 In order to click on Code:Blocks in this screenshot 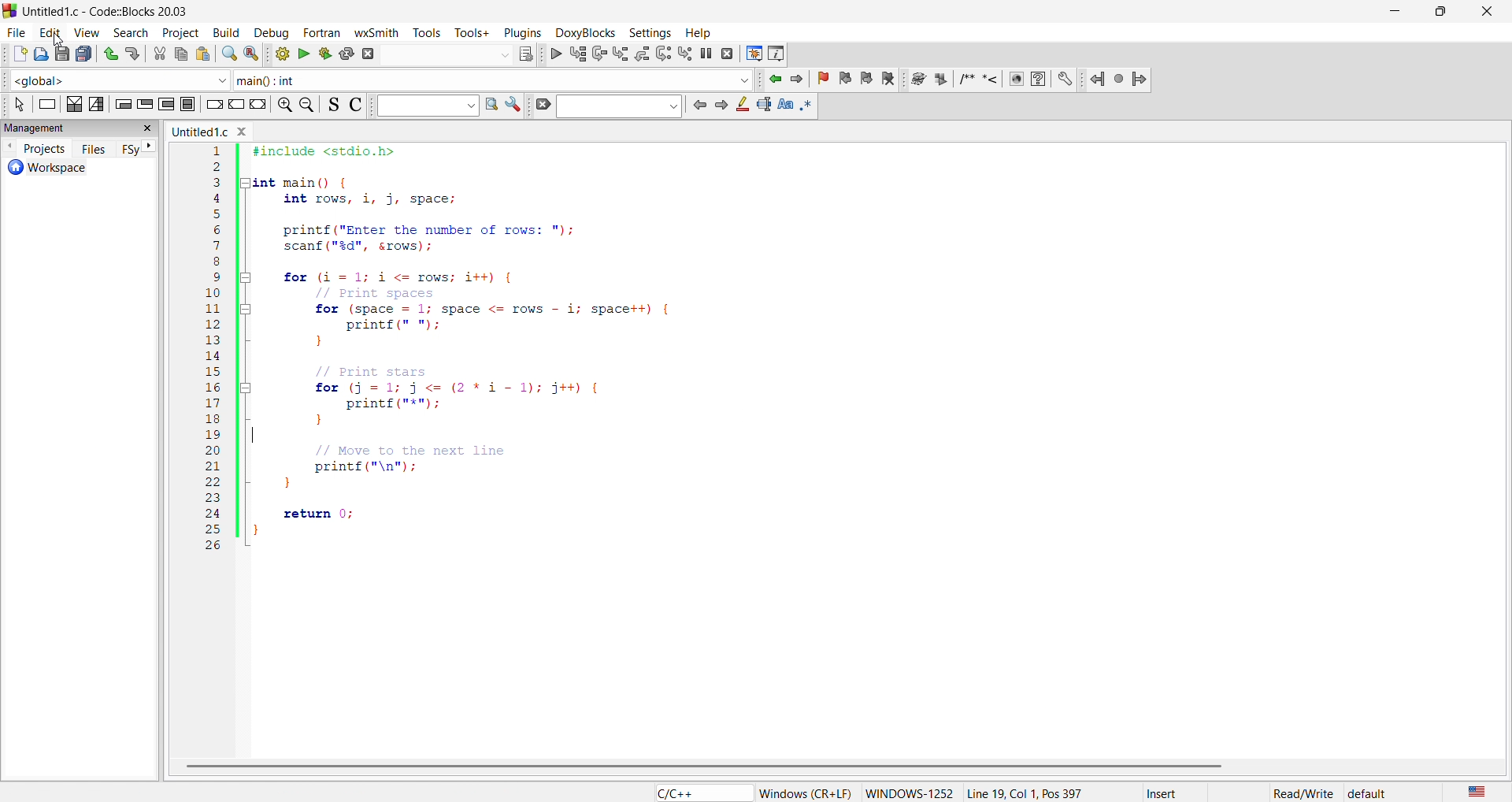, I will do `click(13, 9)`.